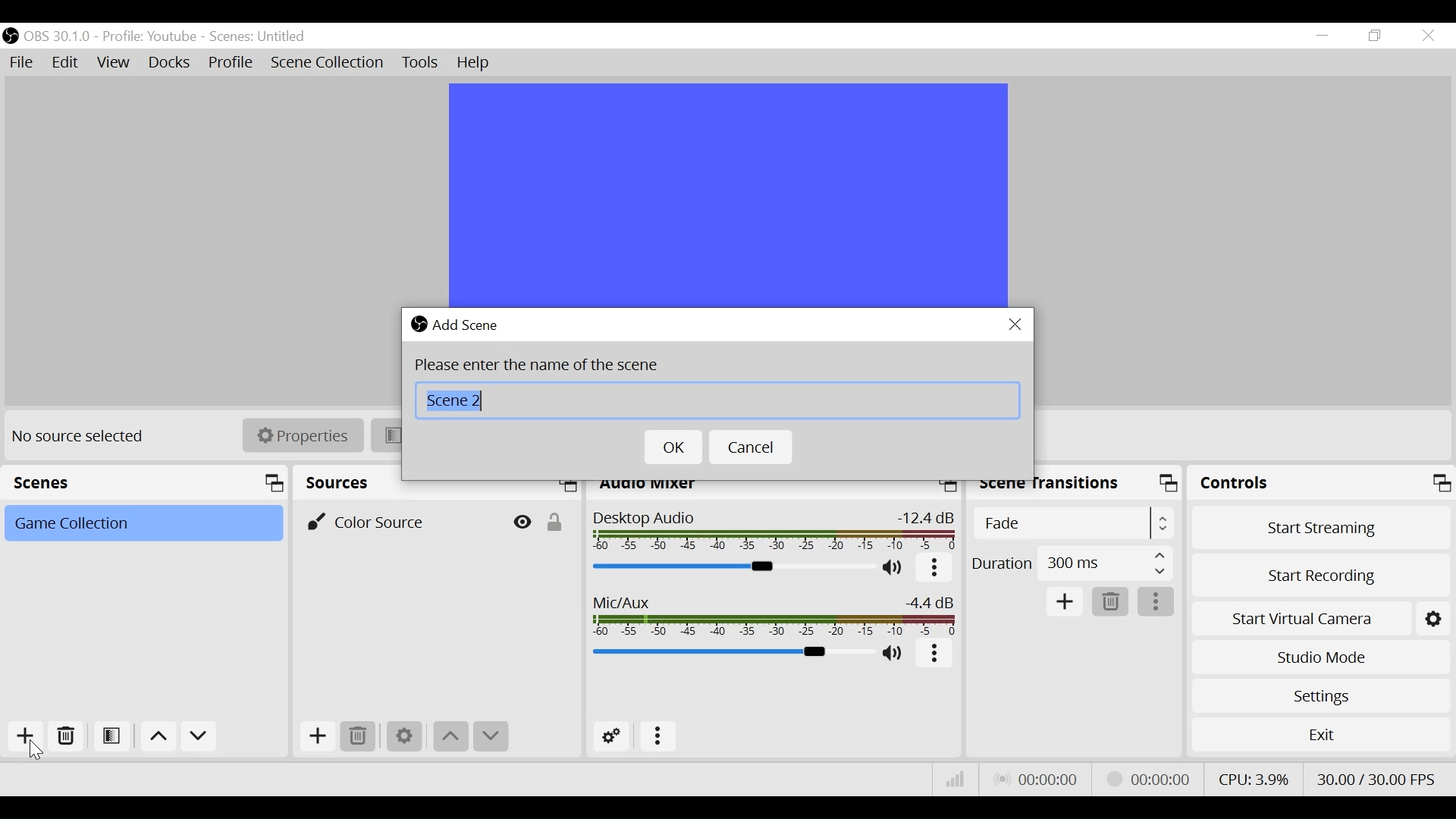 This screenshot has width=1456, height=819. What do you see at coordinates (404, 736) in the screenshot?
I see `Settings` at bounding box center [404, 736].